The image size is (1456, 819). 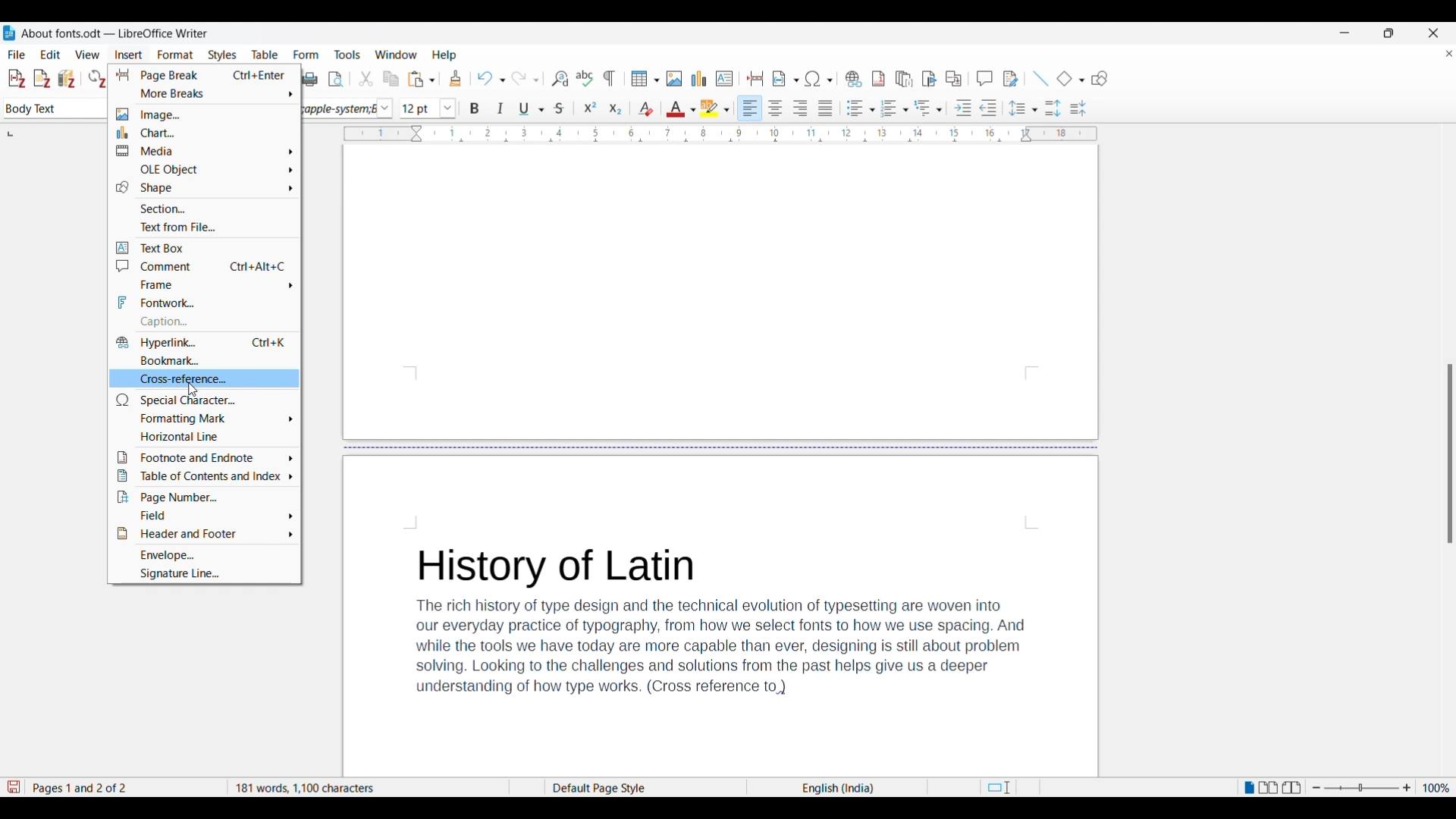 What do you see at coordinates (1447, 457) in the screenshot?
I see `` at bounding box center [1447, 457].